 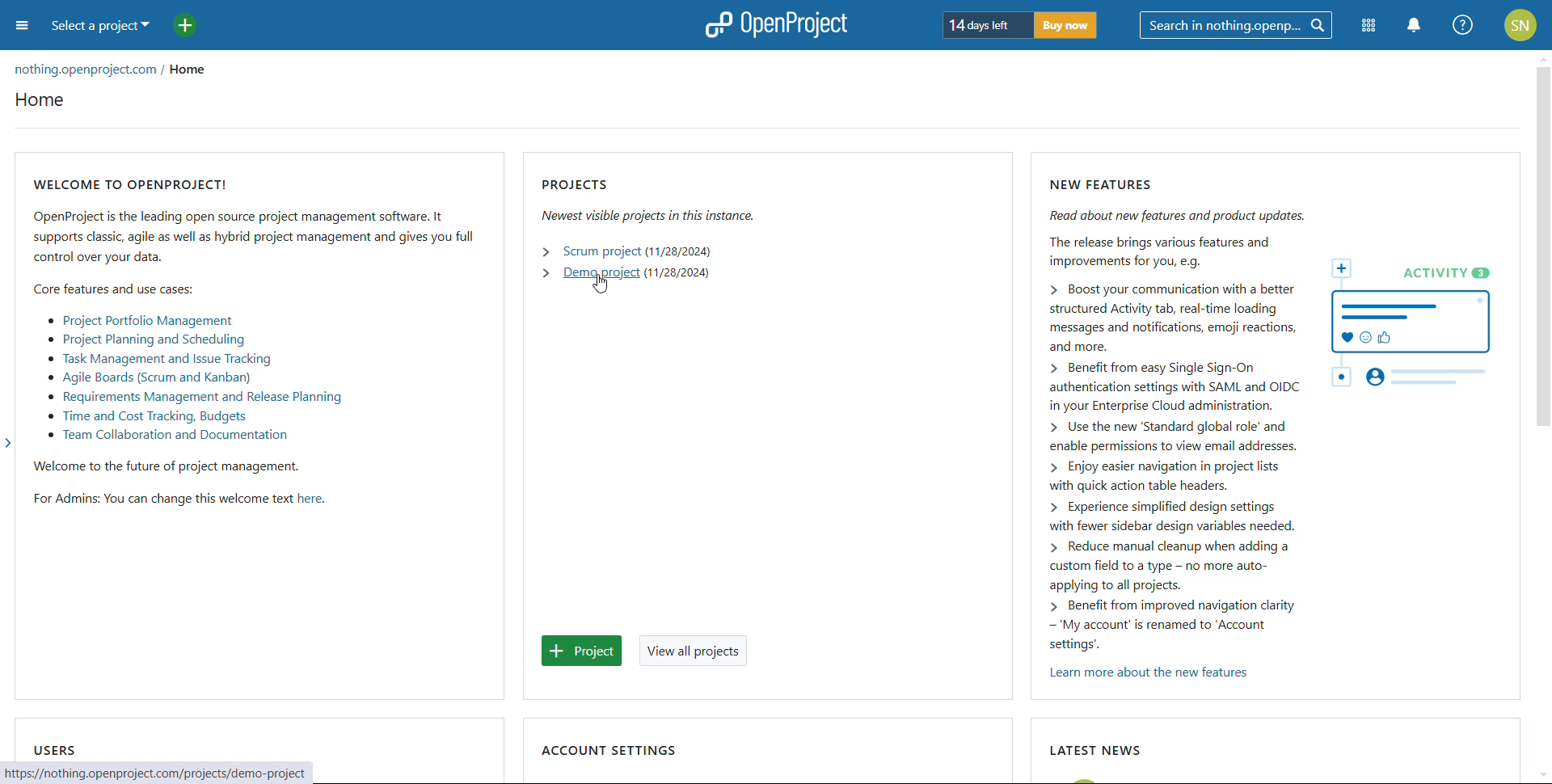 I want to click on Newest visible projects in this instance., so click(x=683, y=216).